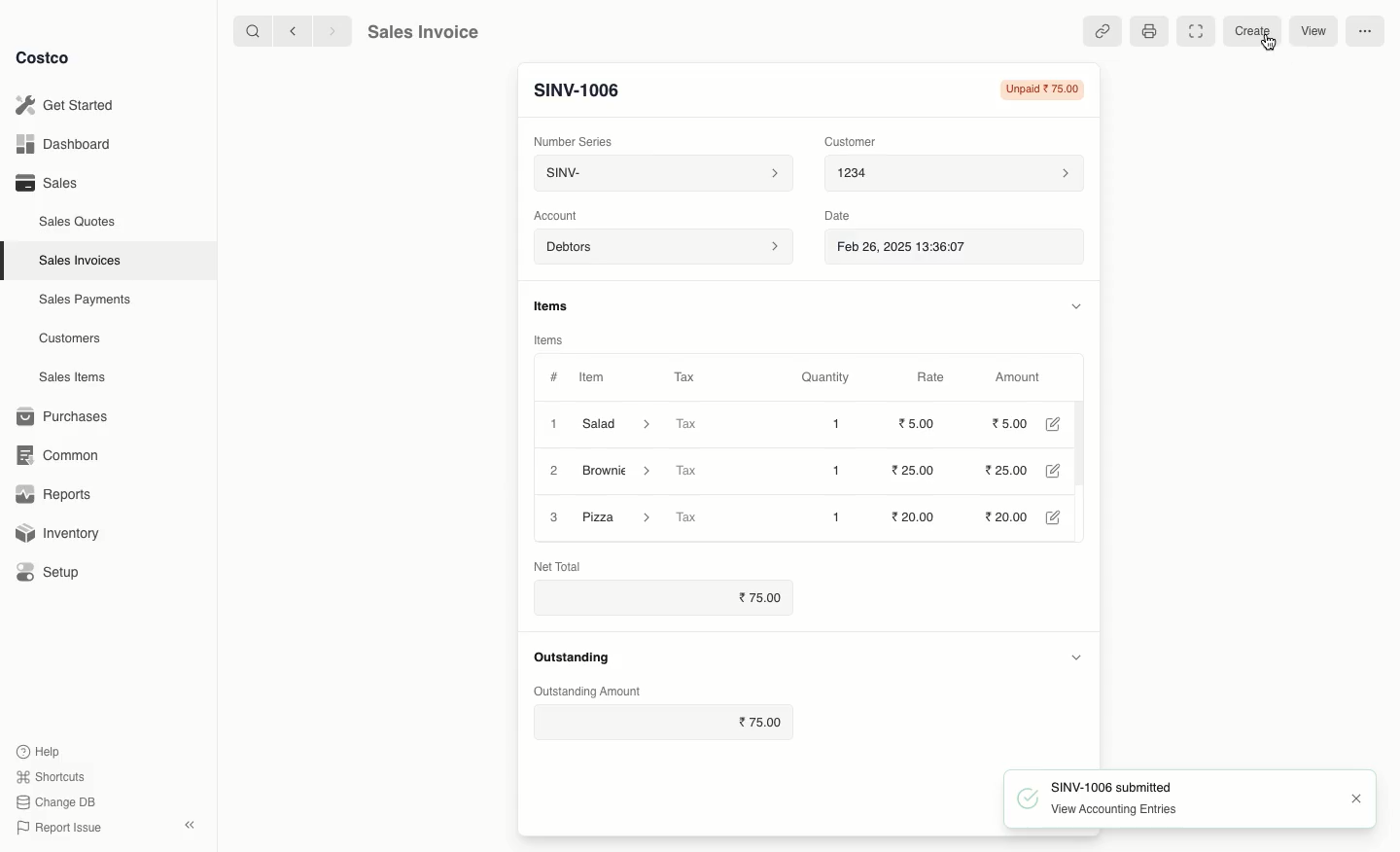  I want to click on 1, so click(836, 424).